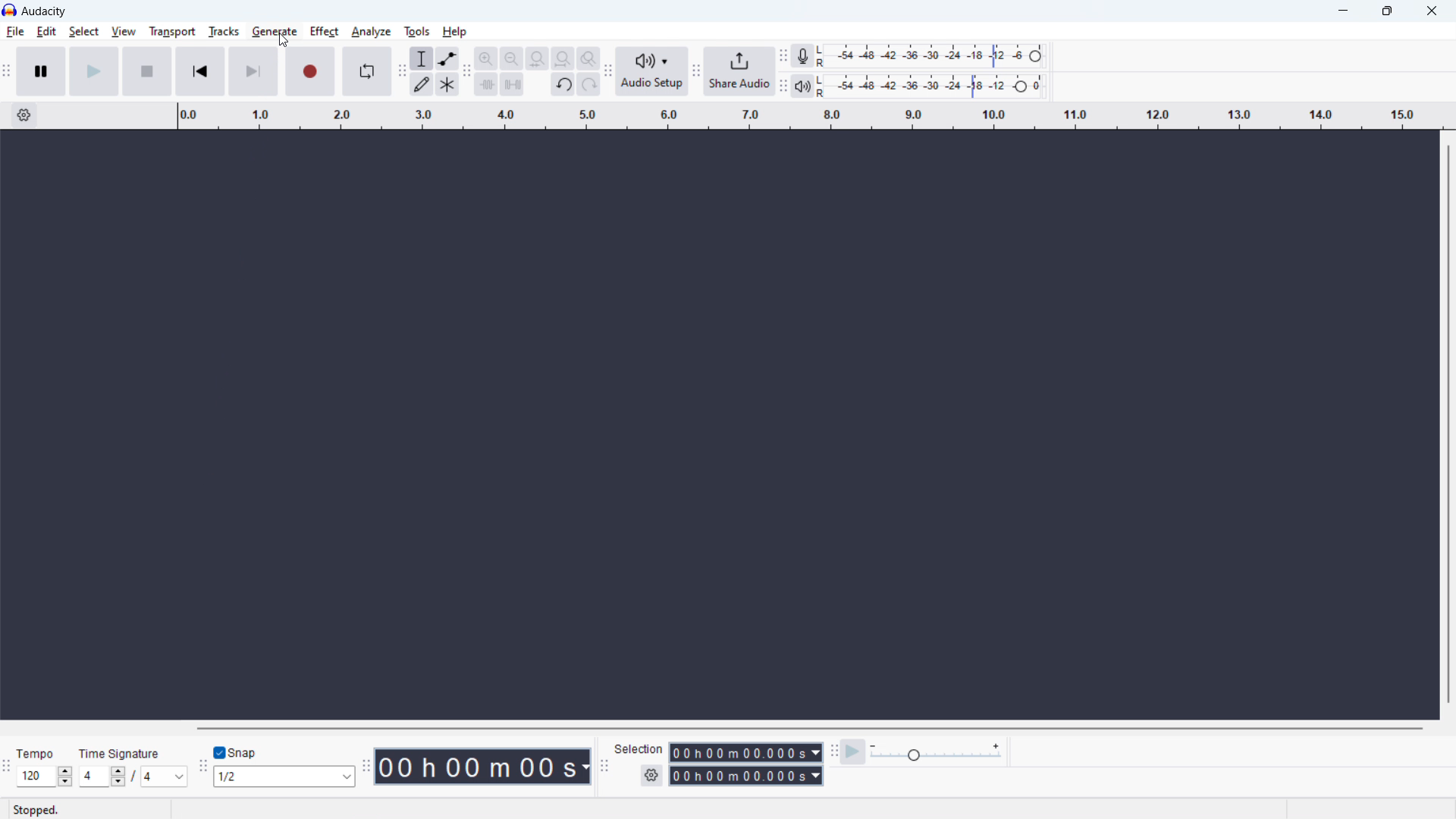  What do you see at coordinates (15, 32) in the screenshot?
I see `file` at bounding box center [15, 32].